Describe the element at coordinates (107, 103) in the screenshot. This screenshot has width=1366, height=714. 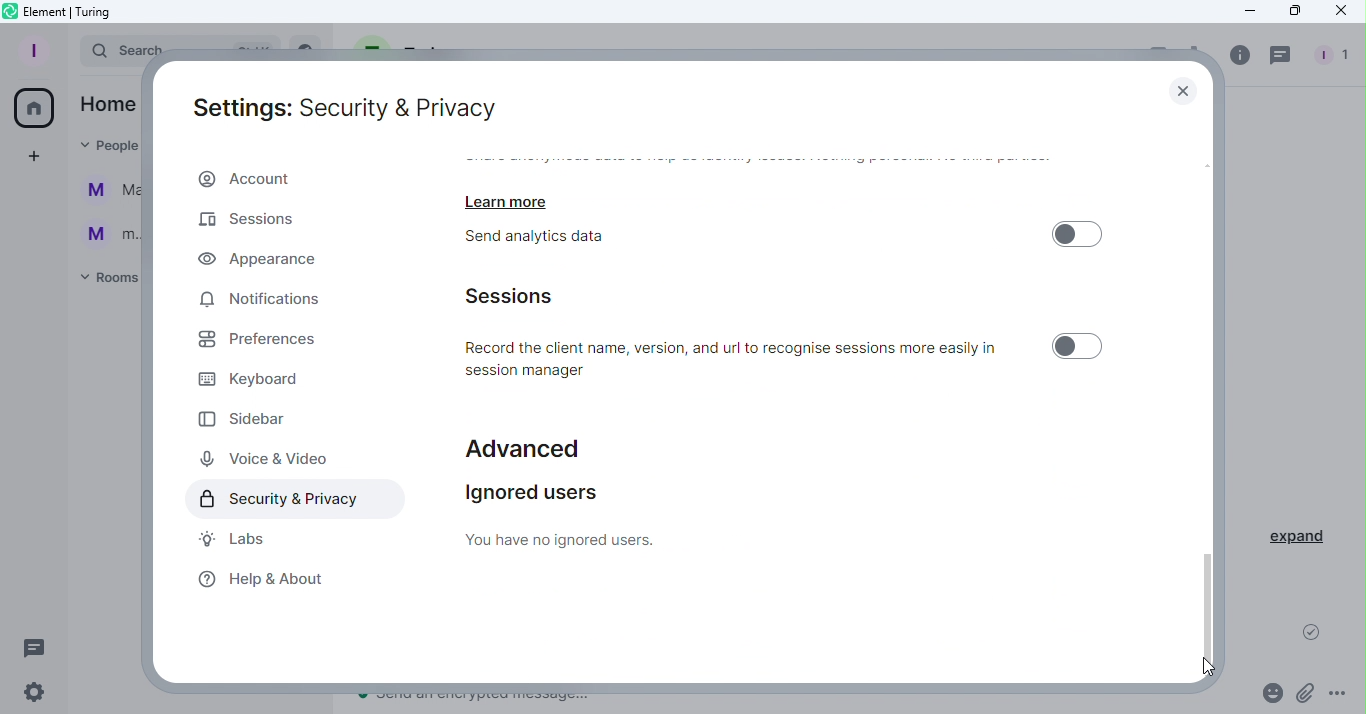
I see `Home` at that location.